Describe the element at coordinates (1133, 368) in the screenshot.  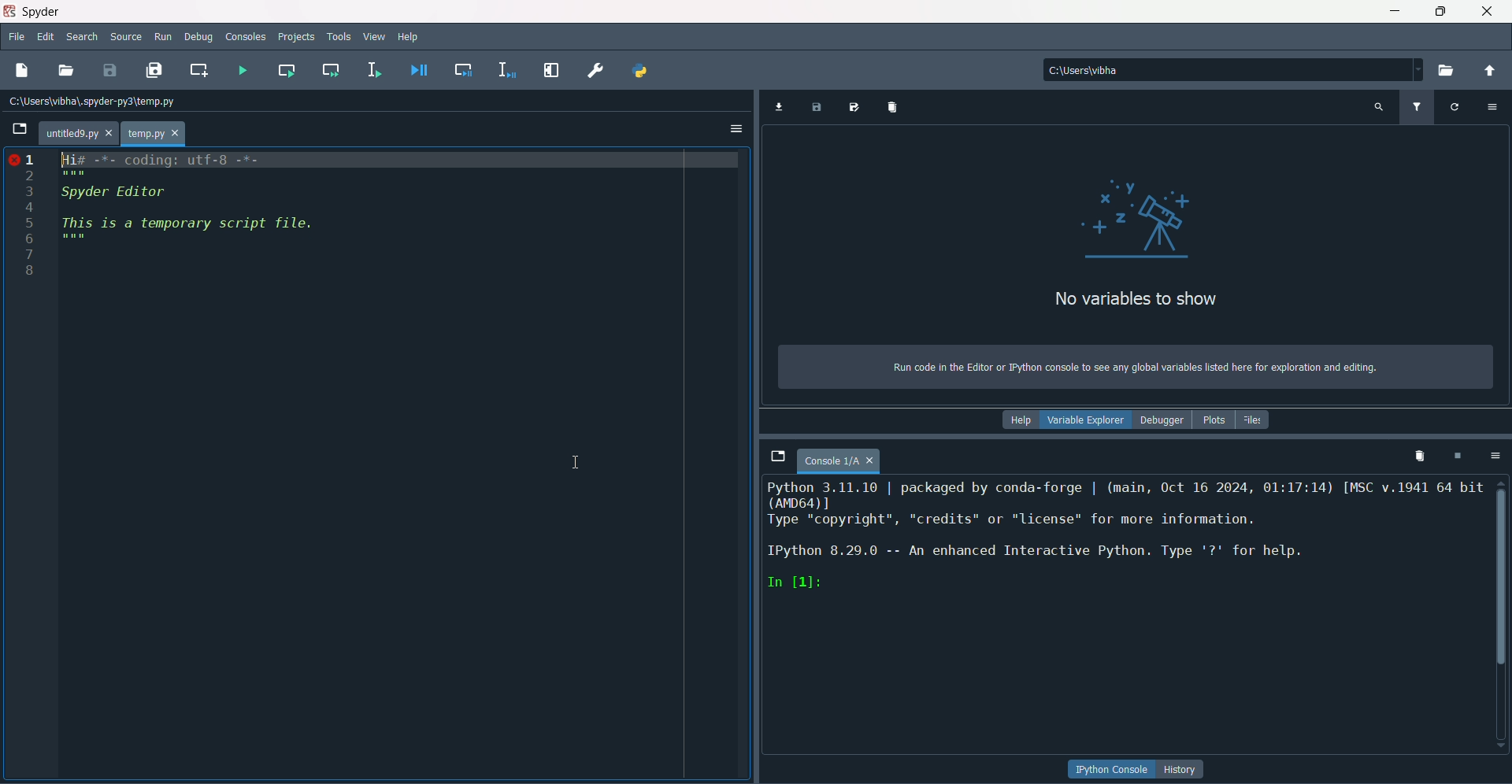
I see `text` at that location.